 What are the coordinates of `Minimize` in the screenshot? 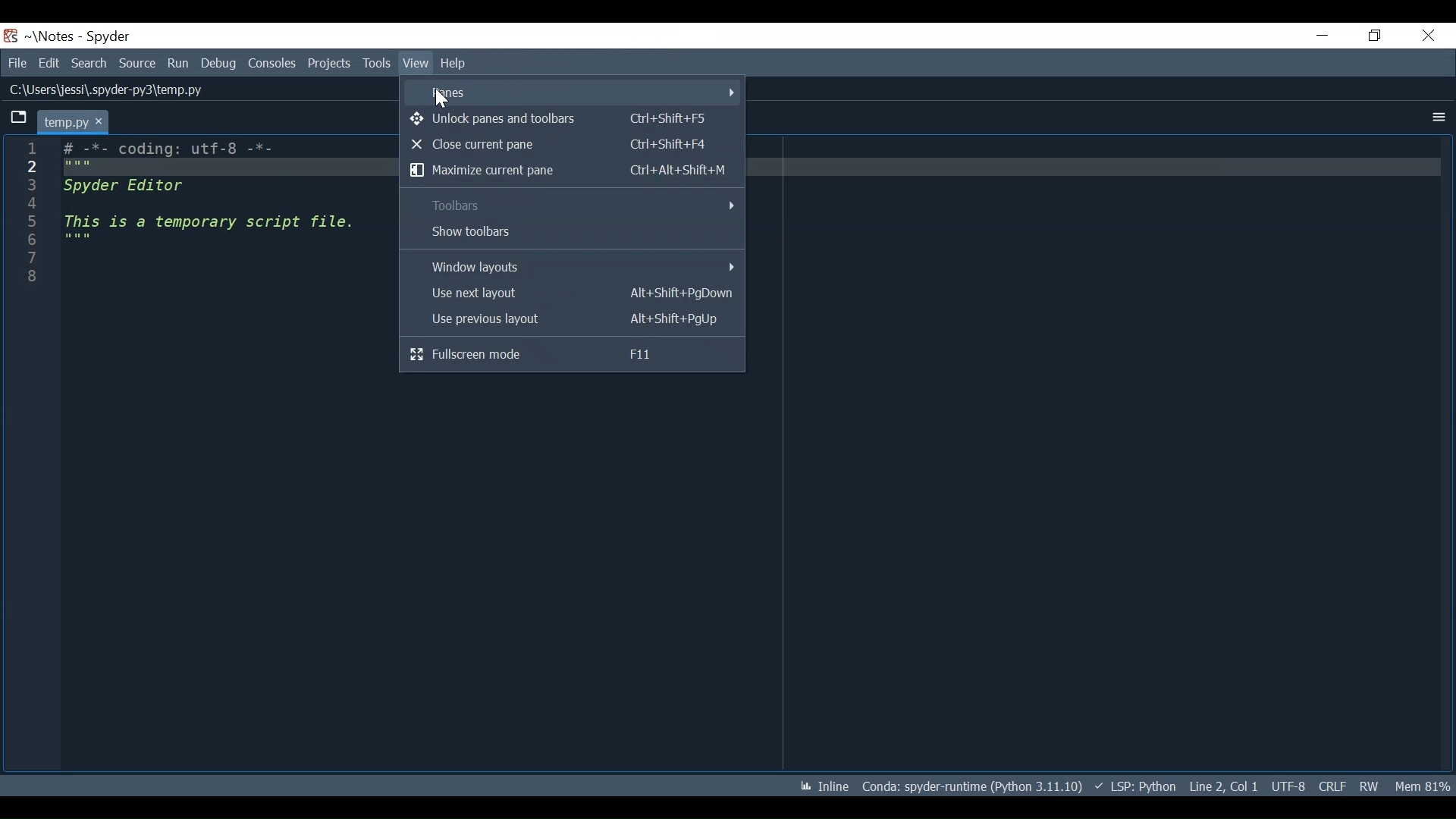 It's located at (1313, 37).